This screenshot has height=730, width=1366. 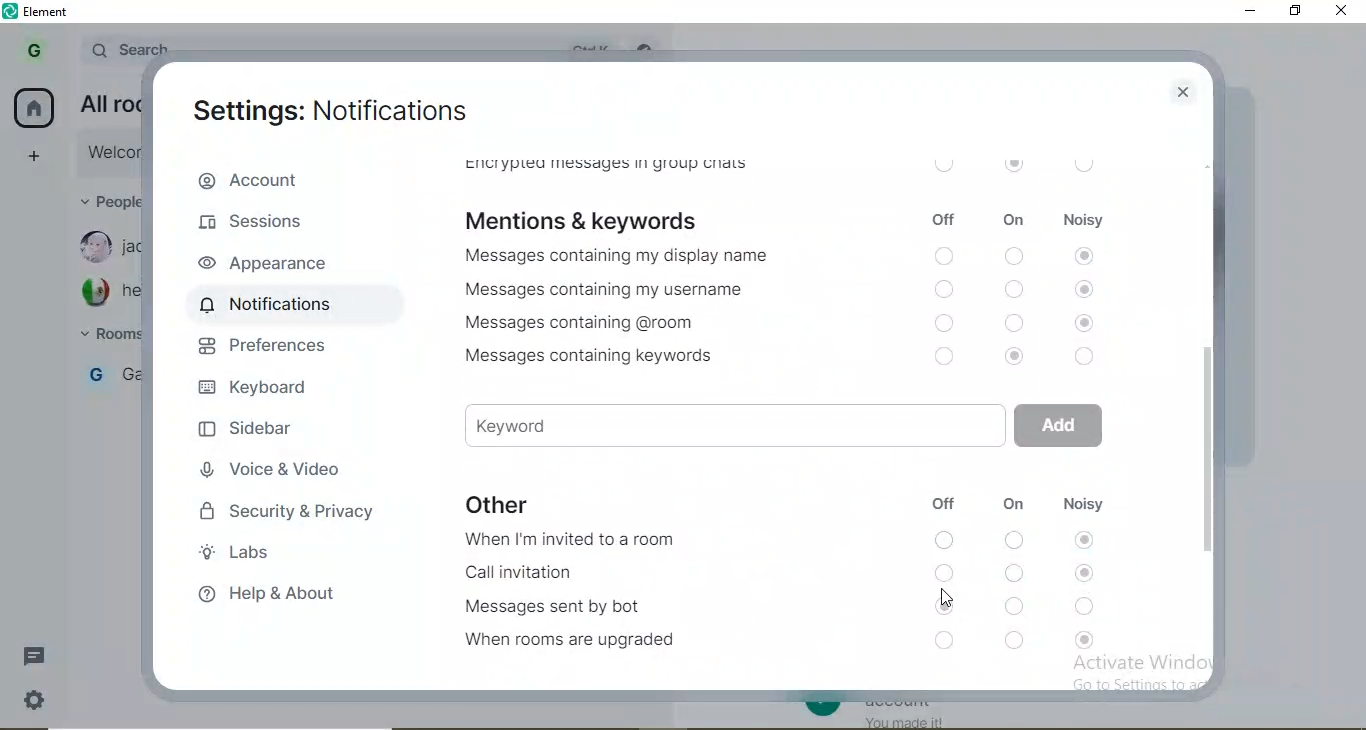 I want to click on sidebar, so click(x=260, y=432).